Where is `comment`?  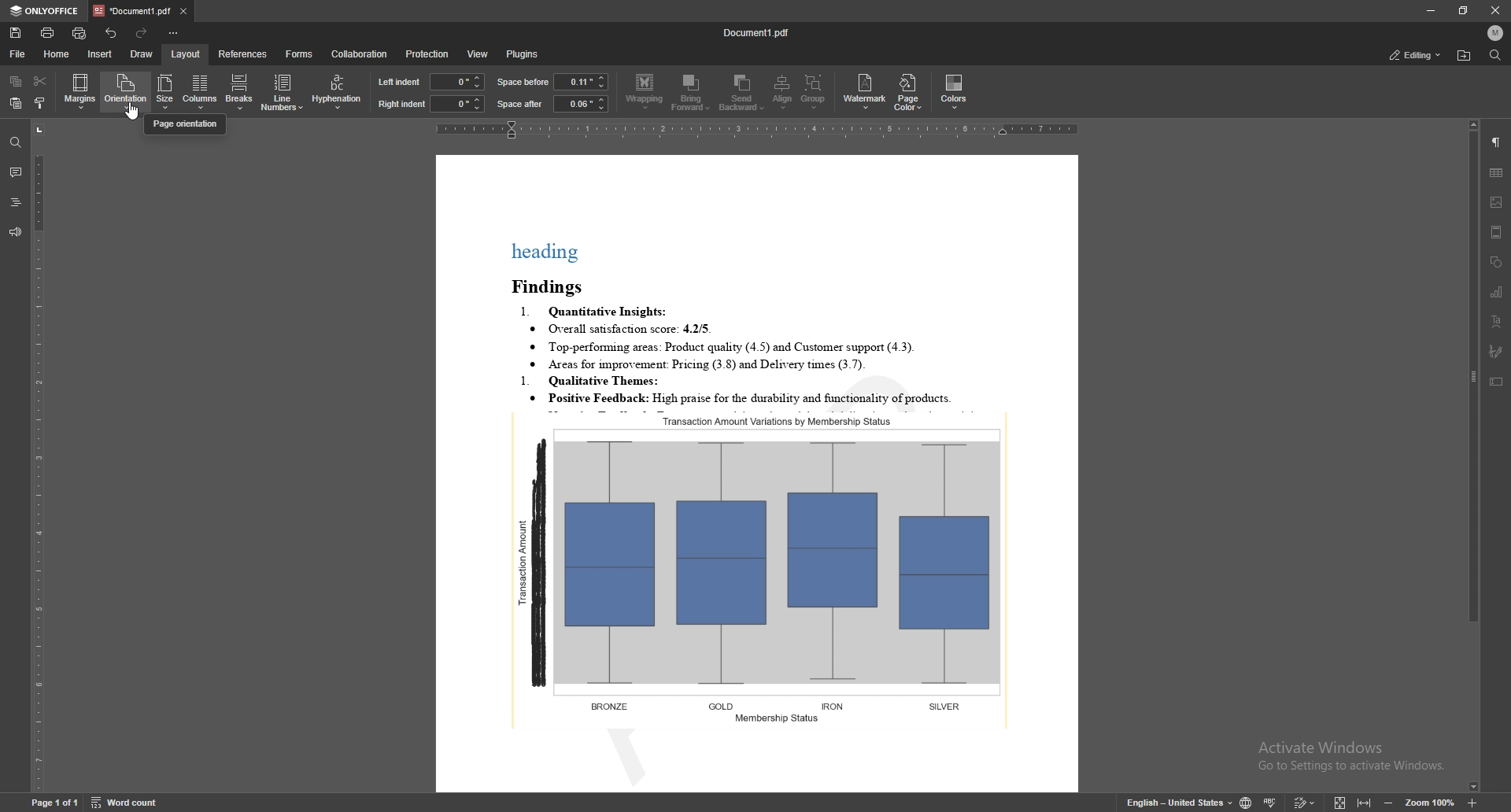 comment is located at coordinates (16, 170).